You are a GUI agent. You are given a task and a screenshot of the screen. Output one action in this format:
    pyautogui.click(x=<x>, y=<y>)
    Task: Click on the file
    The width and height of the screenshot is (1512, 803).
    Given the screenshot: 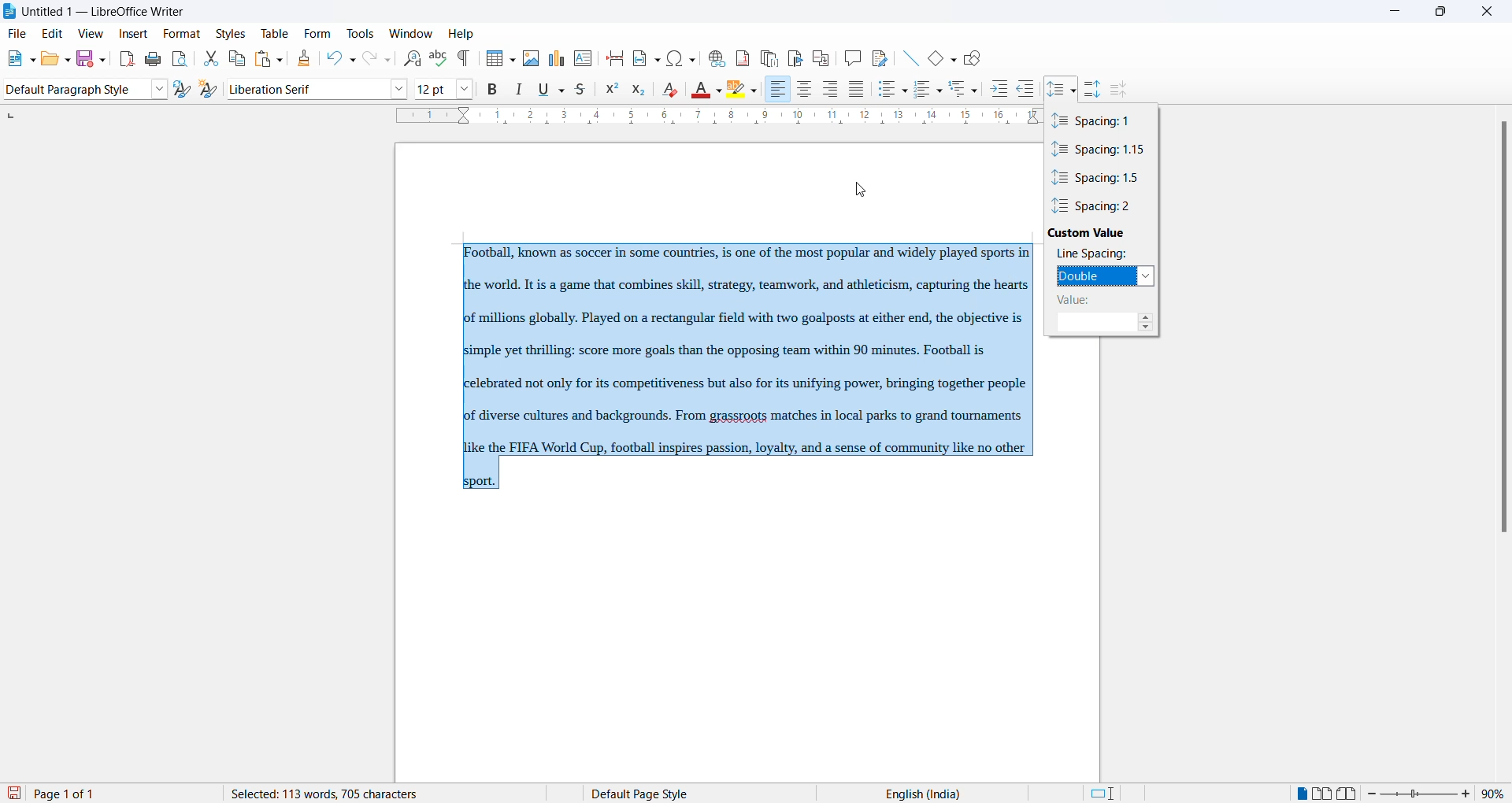 What is the action you would take?
    pyautogui.click(x=20, y=33)
    